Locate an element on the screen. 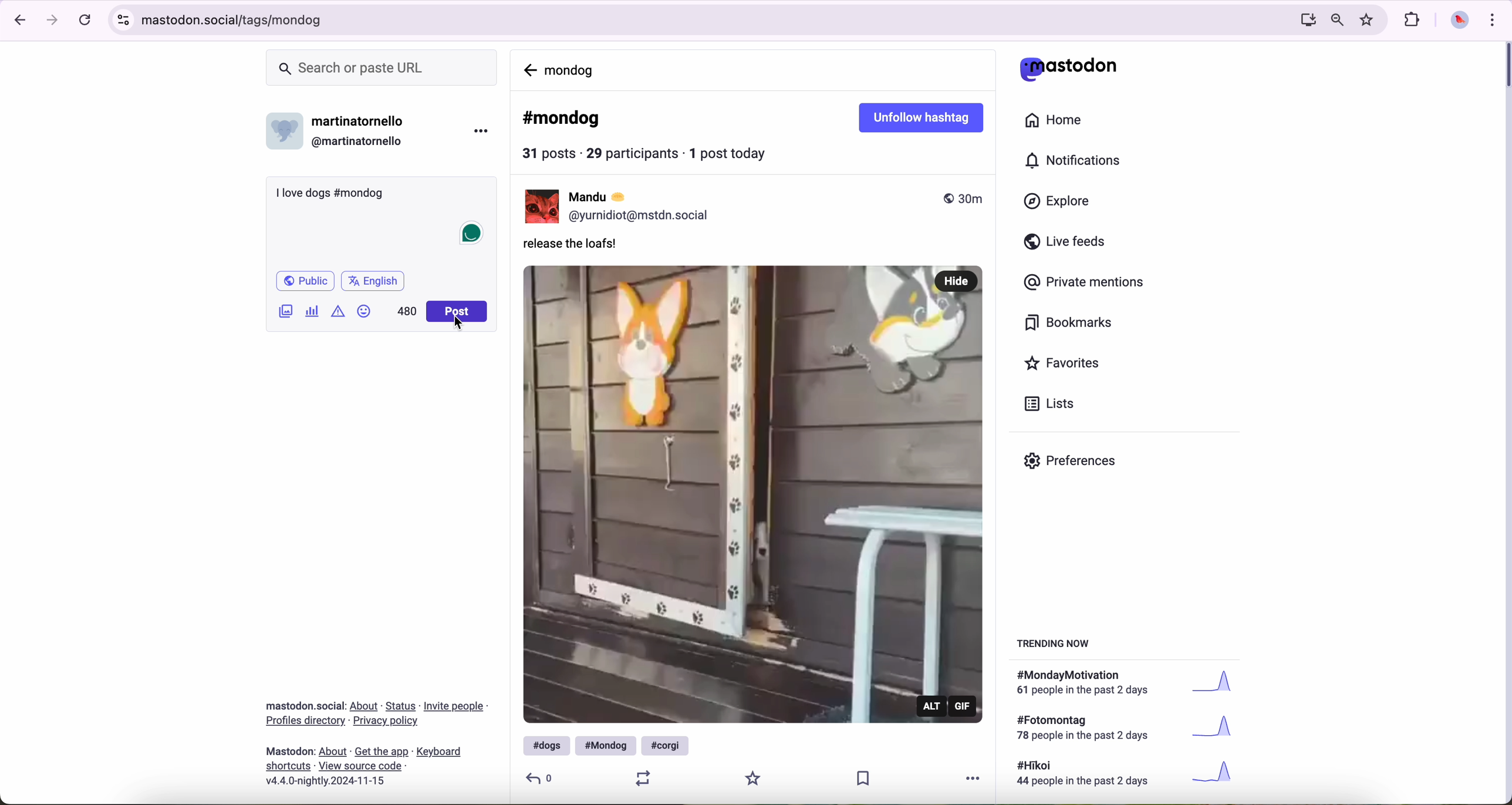 This screenshot has width=1512, height=805. cursor on post message is located at coordinates (460, 324).